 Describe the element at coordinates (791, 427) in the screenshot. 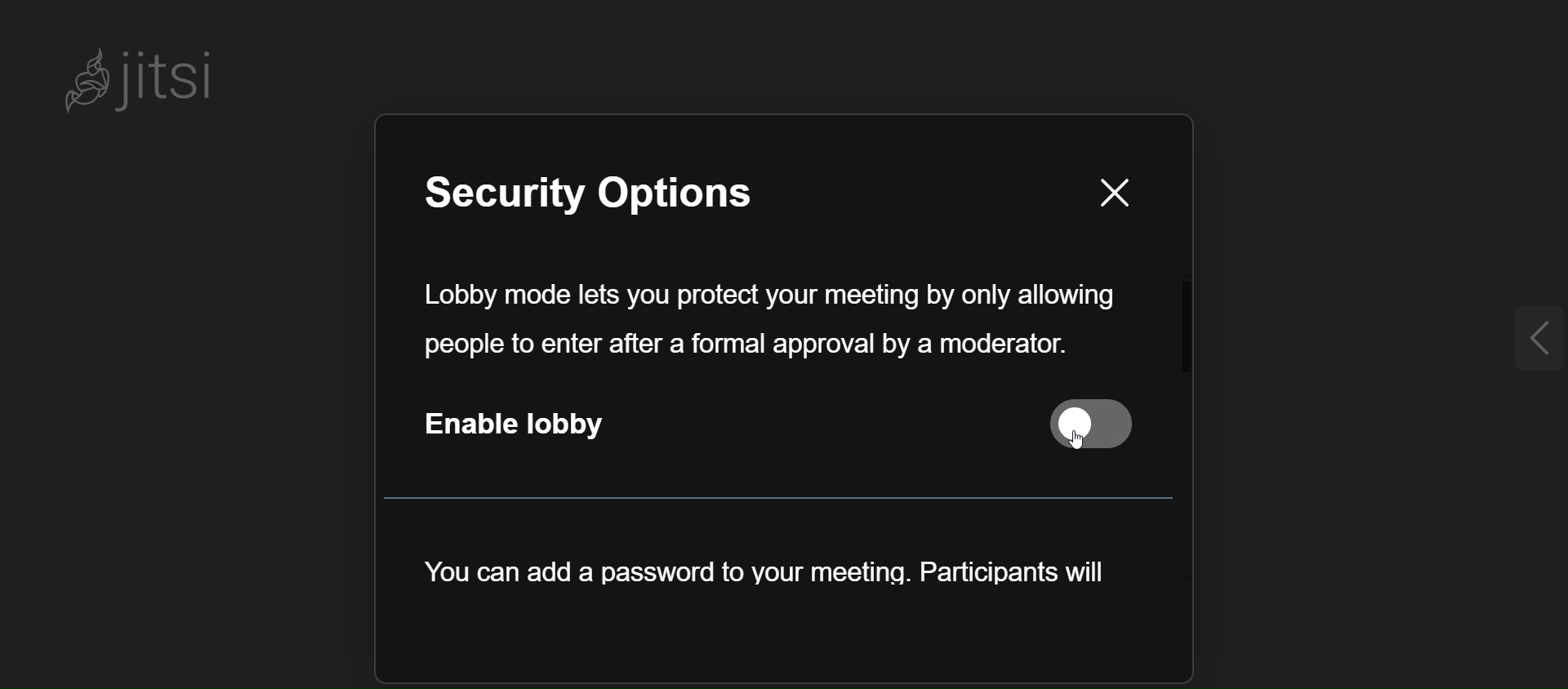

I see `"Enable lobby" option disabled` at that location.